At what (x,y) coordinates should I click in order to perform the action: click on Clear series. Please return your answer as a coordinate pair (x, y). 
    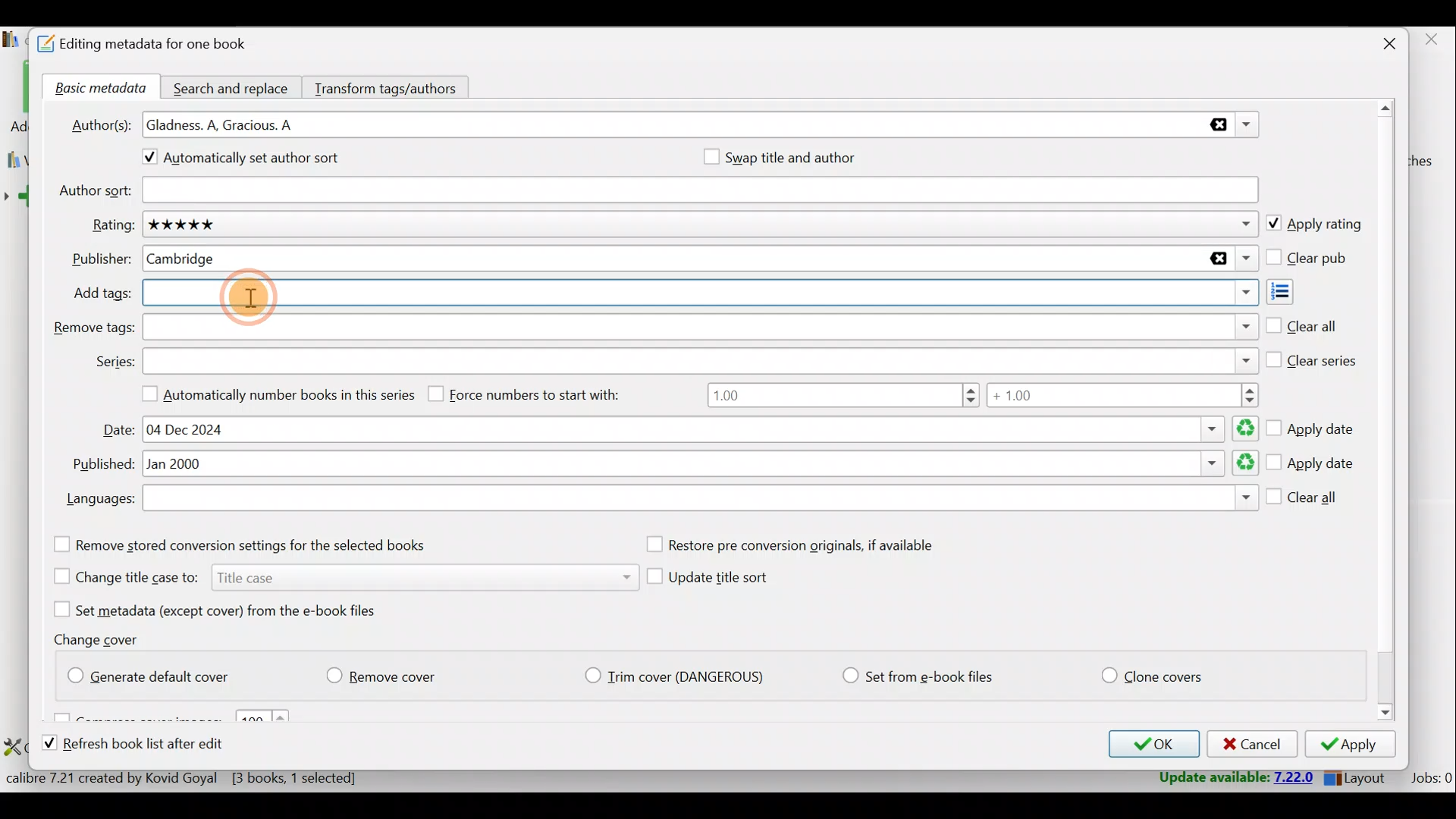
    Looking at the image, I should click on (1313, 357).